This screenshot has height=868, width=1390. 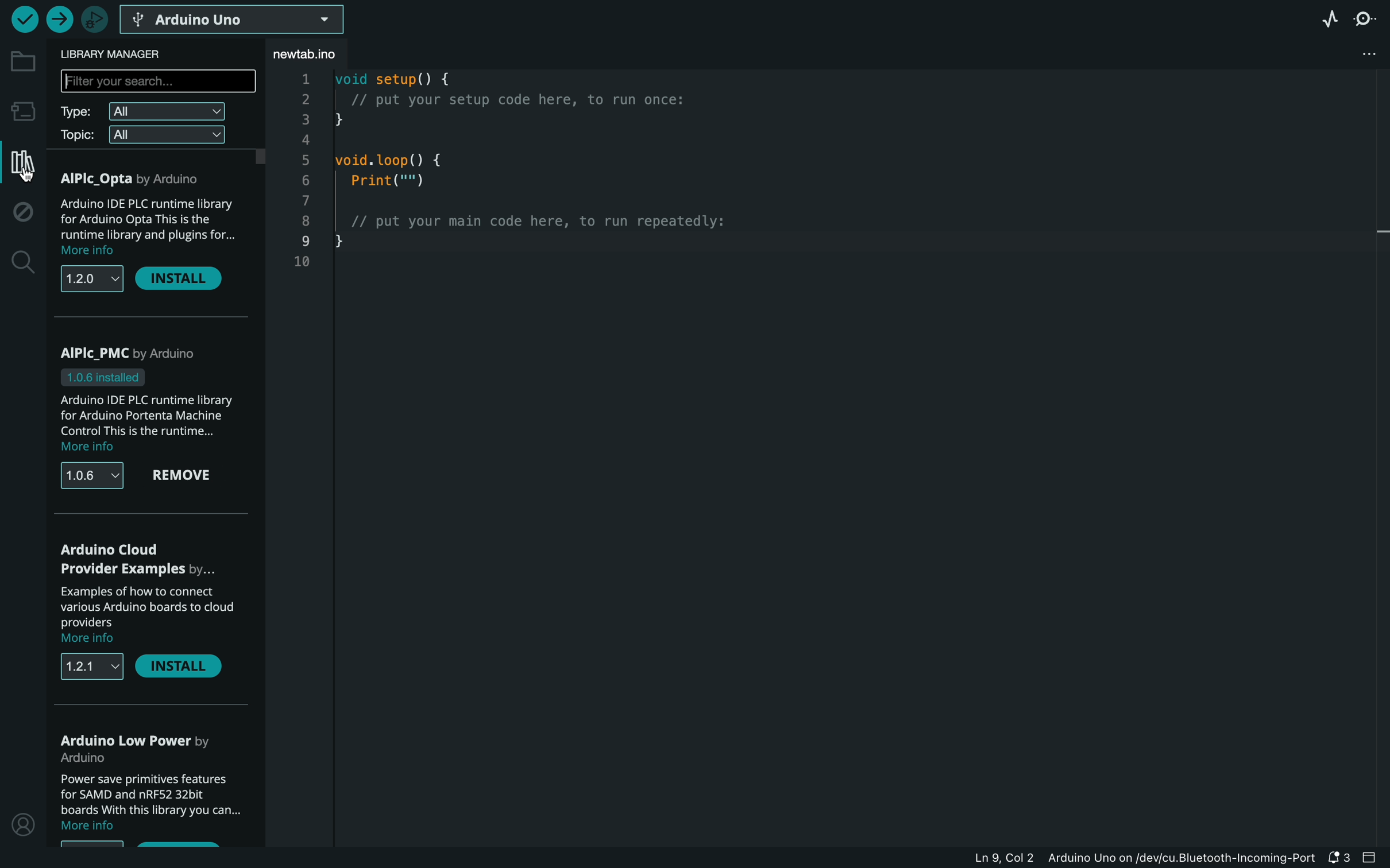 What do you see at coordinates (138, 560) in the screenshot?
I see `arduino cloud` at bounding box center [138, 560].